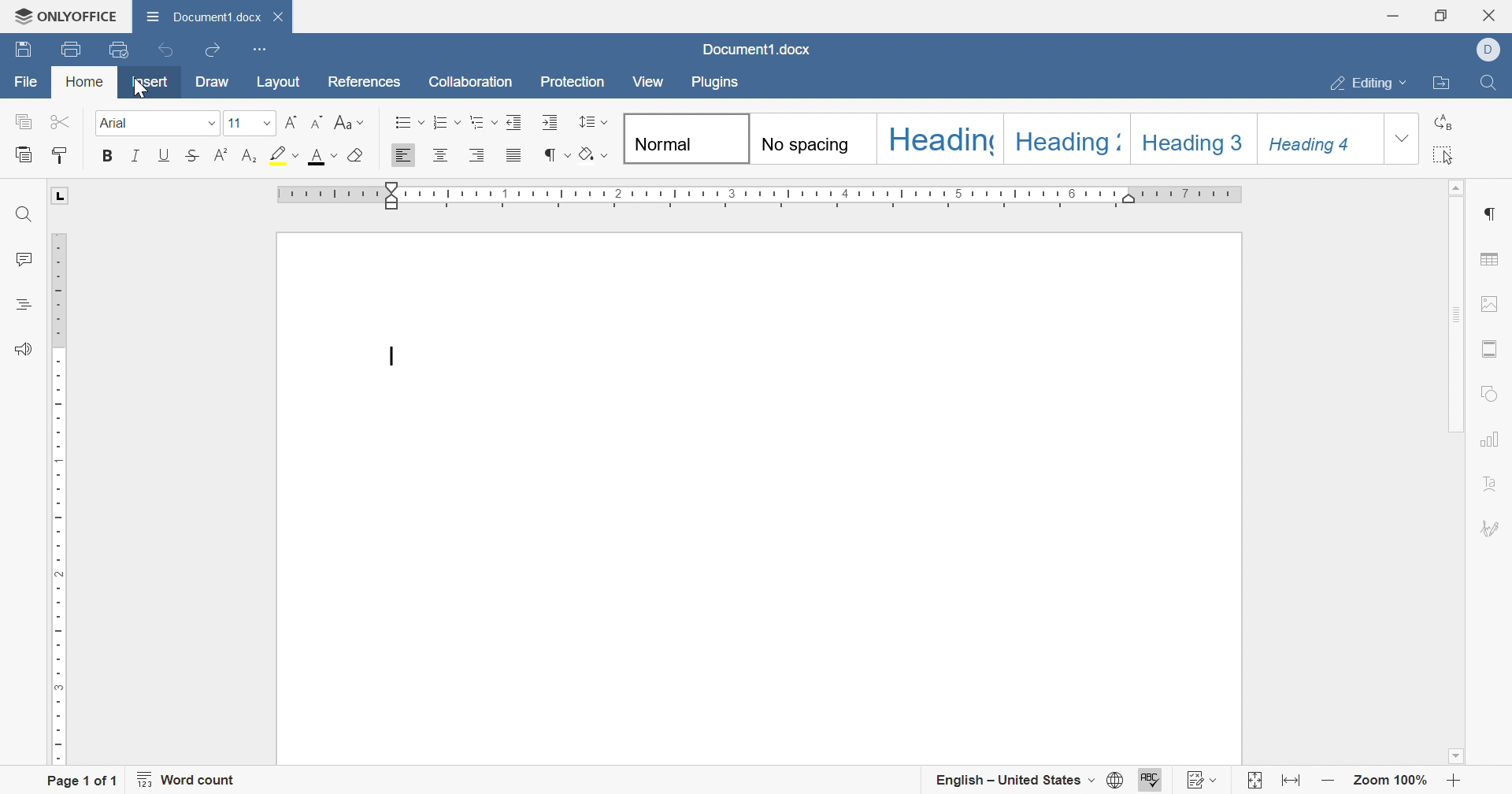 This screenshot has height=794, width=1512. What do you see at coordinates (259, 49) in the screenshot?
I see `Customize quick access toolbar` at bounding box center [259, 49].